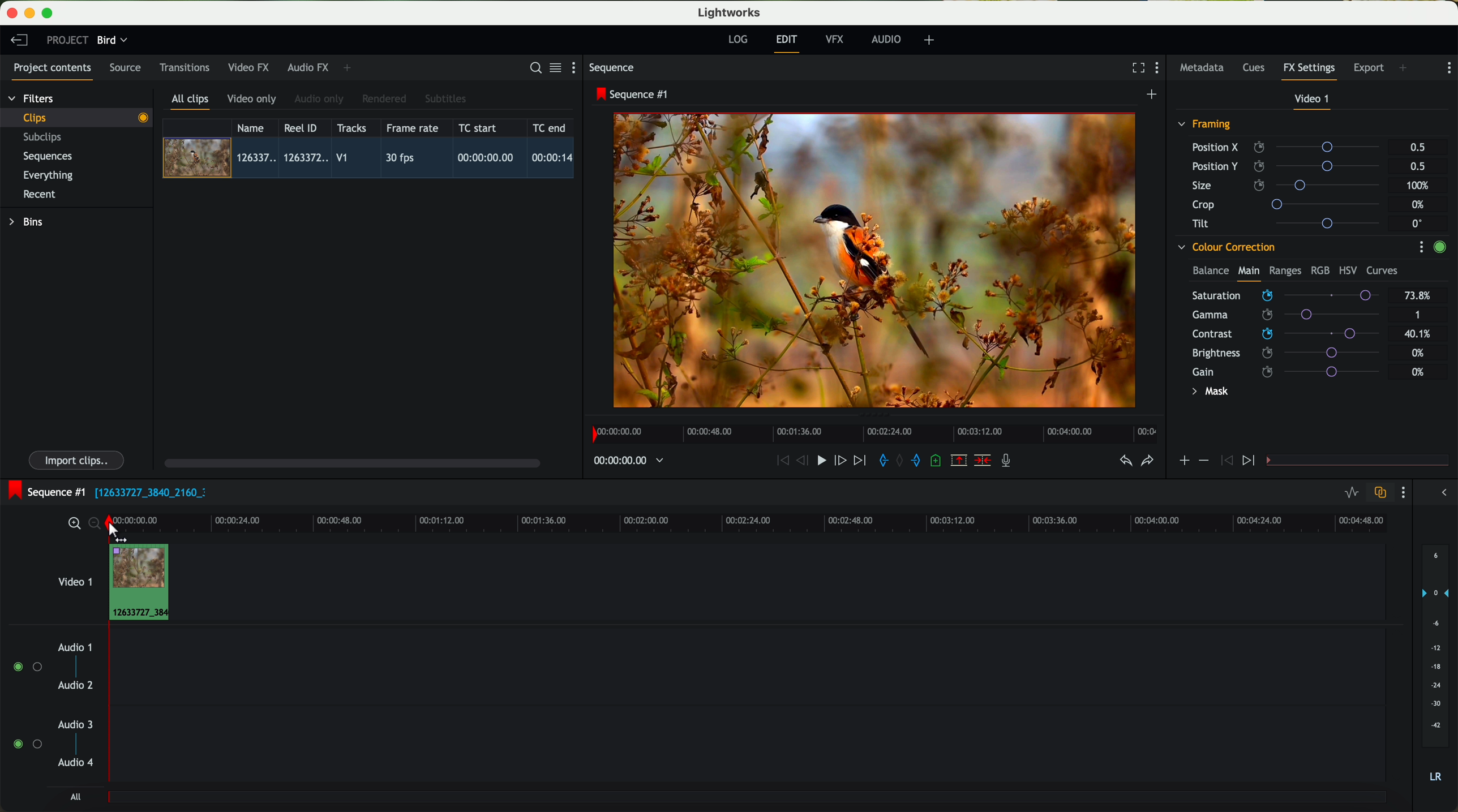 The height and width of the screenshot is (812, 1458). I want to click on video 1, so click(1313, 101).